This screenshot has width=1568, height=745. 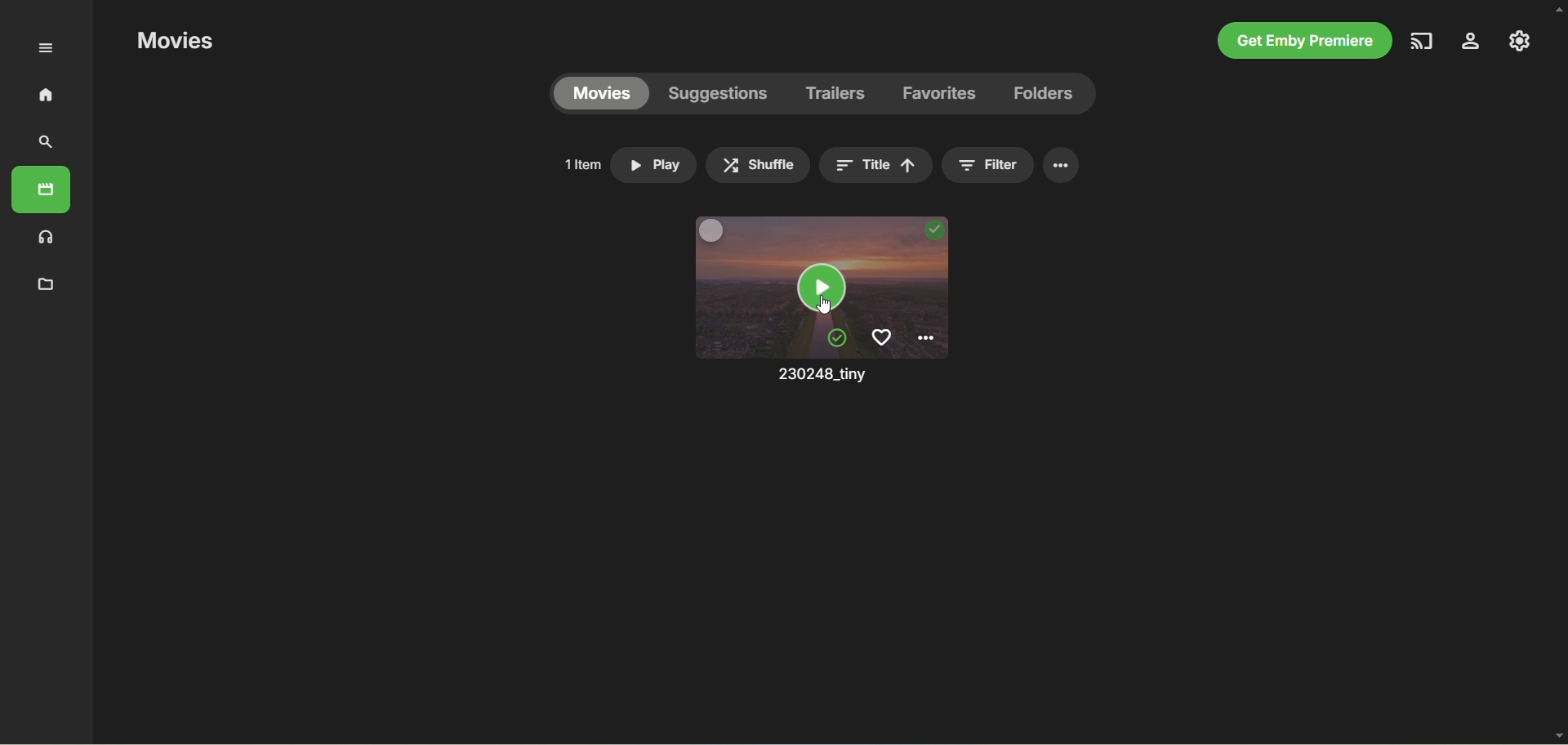 I want to click on settings, so click(x=1474, y=41).